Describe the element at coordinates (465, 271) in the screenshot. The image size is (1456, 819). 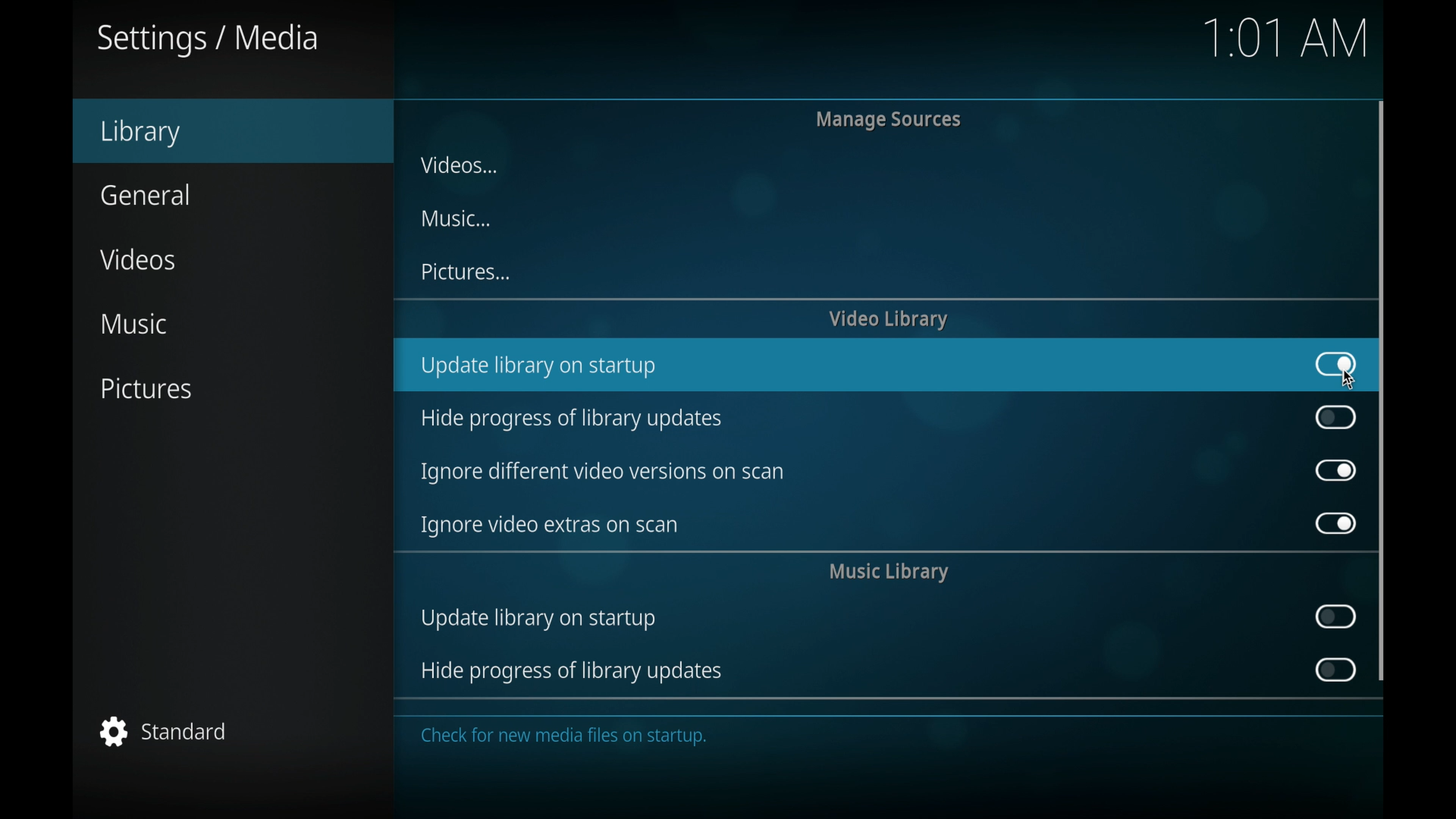
I see `pictures` at that location.